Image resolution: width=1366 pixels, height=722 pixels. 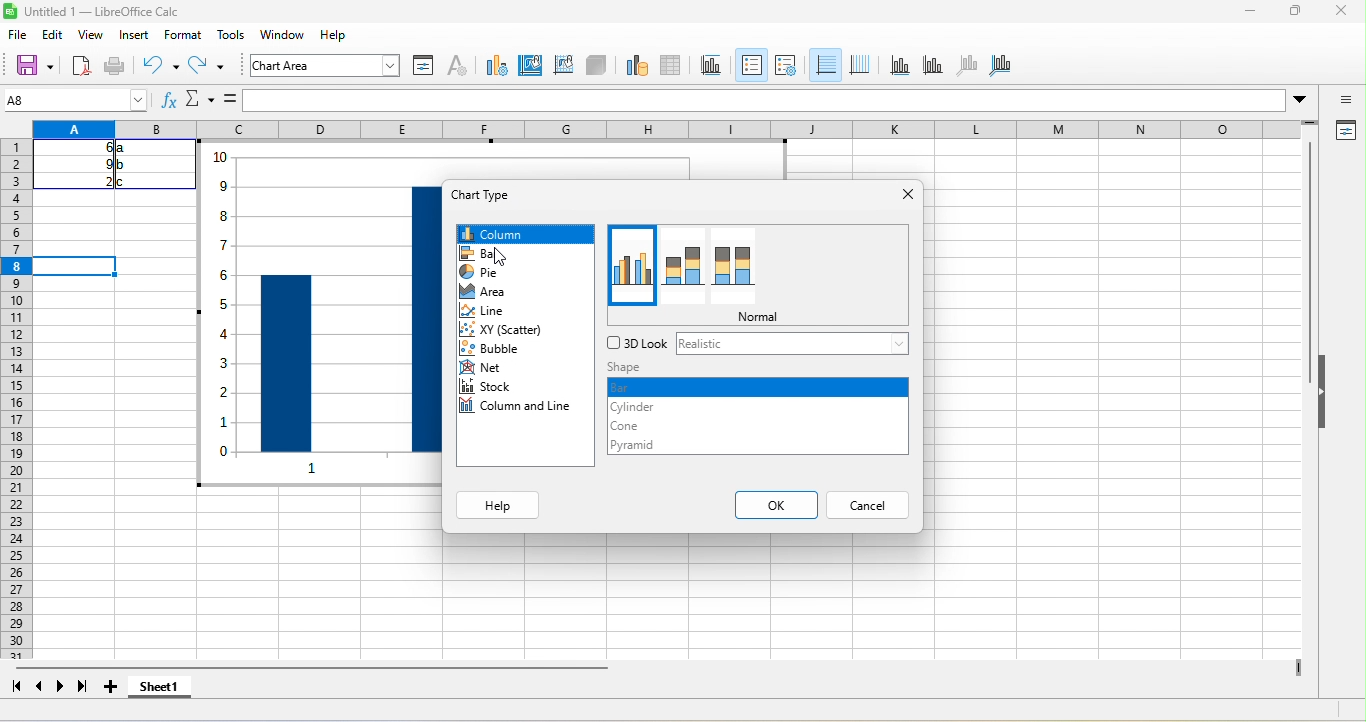 What do you see at coordinates (860, 64) in the screenshot?
I see `legend` at bounding box center [860, 64].